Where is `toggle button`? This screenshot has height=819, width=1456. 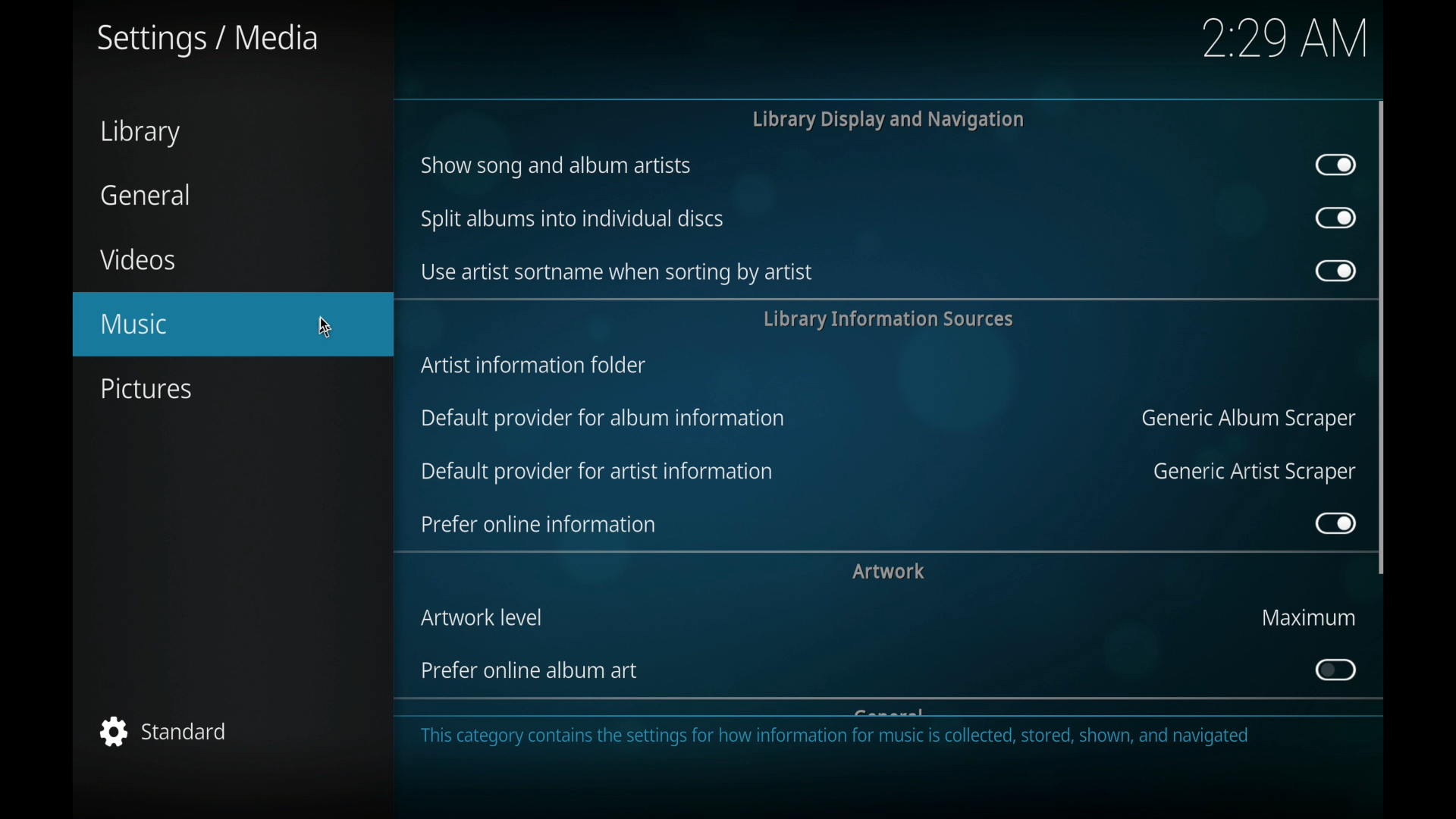
toggle button is located at coordinates (1336, 218).